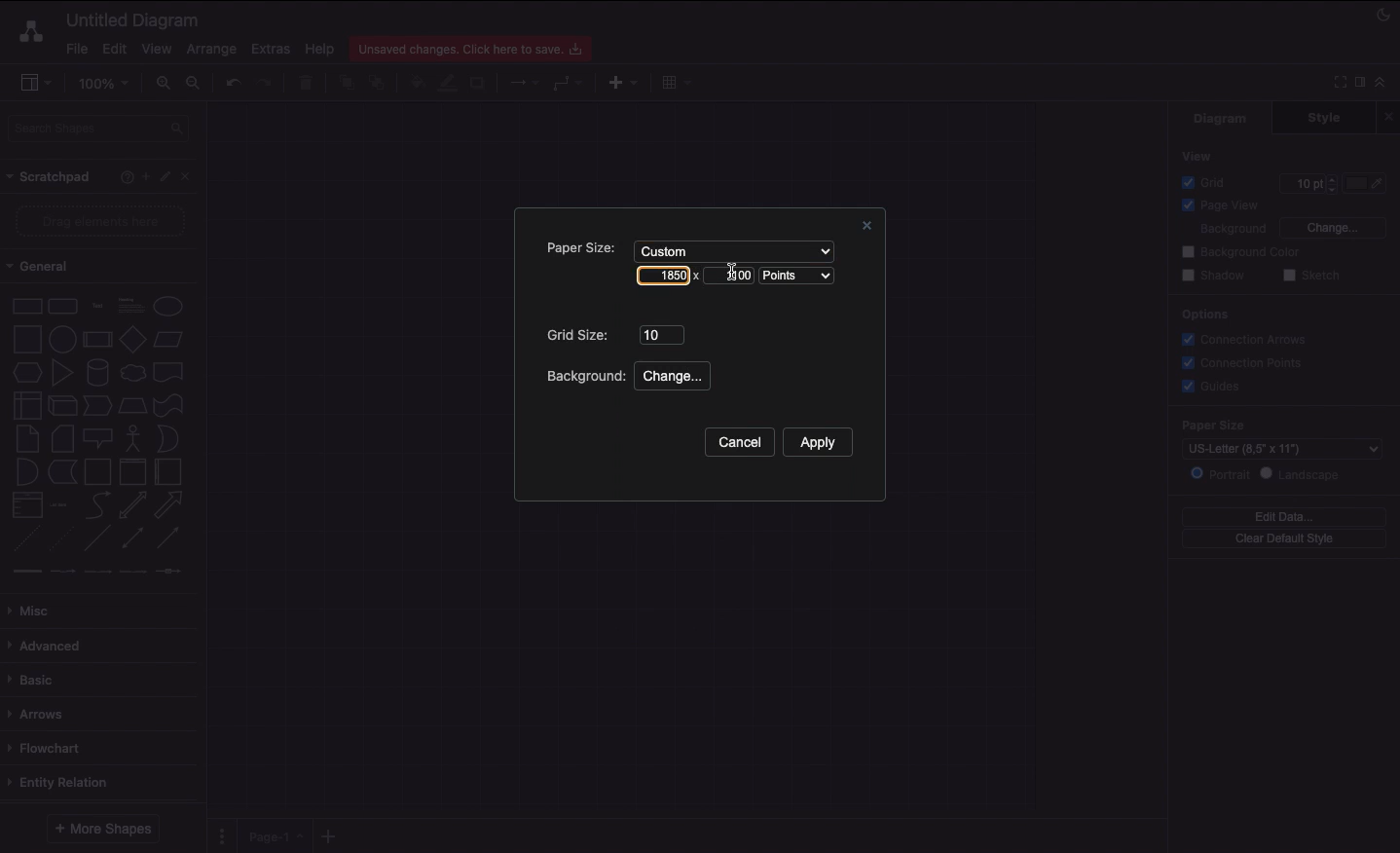 The height and width of the screenshot is (853, 1400). Describe the element at coordinates (34, 611) in the screenshot. I see `Misc` at that location.